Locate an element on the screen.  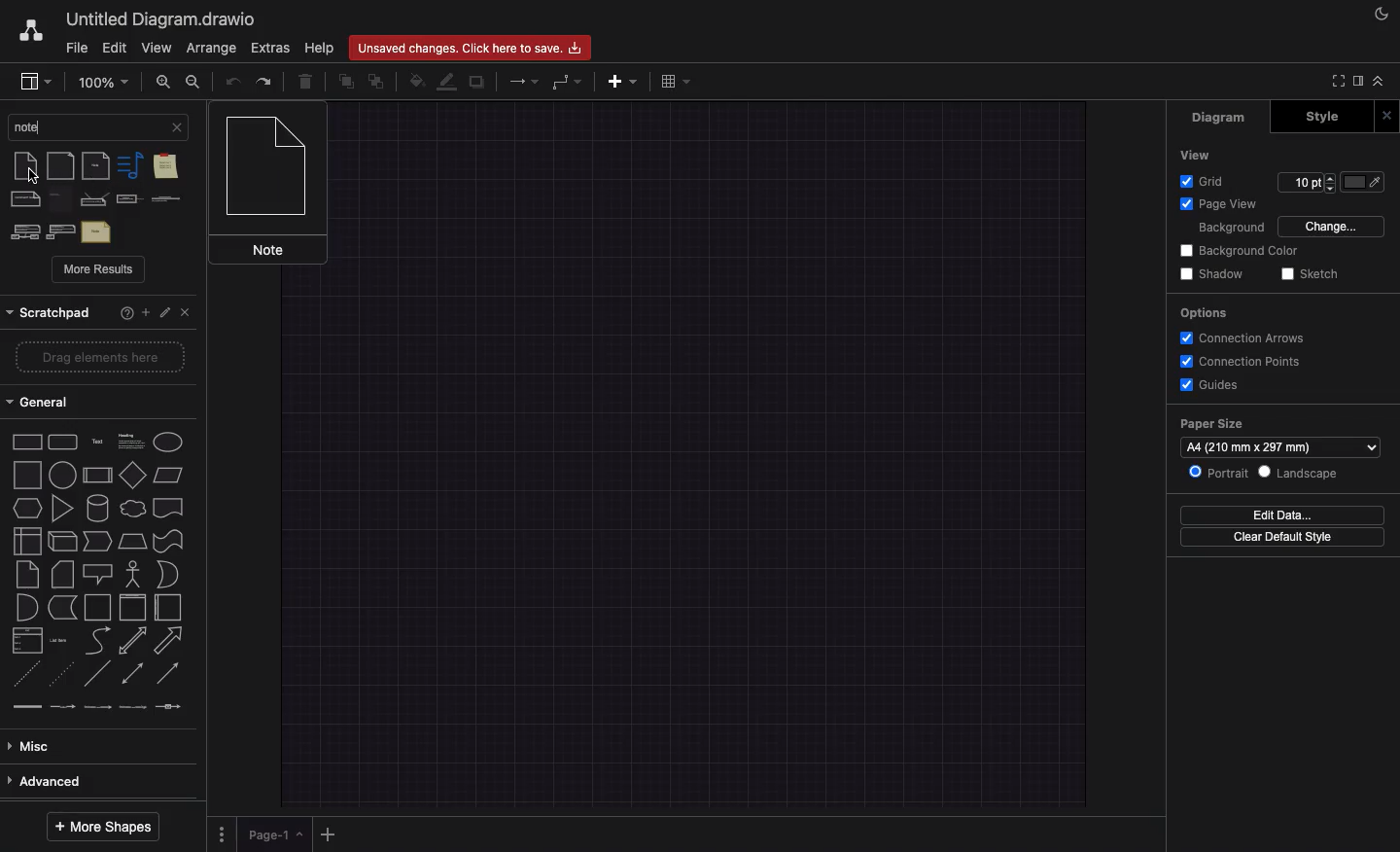
container is located at coordinates (97, 607).